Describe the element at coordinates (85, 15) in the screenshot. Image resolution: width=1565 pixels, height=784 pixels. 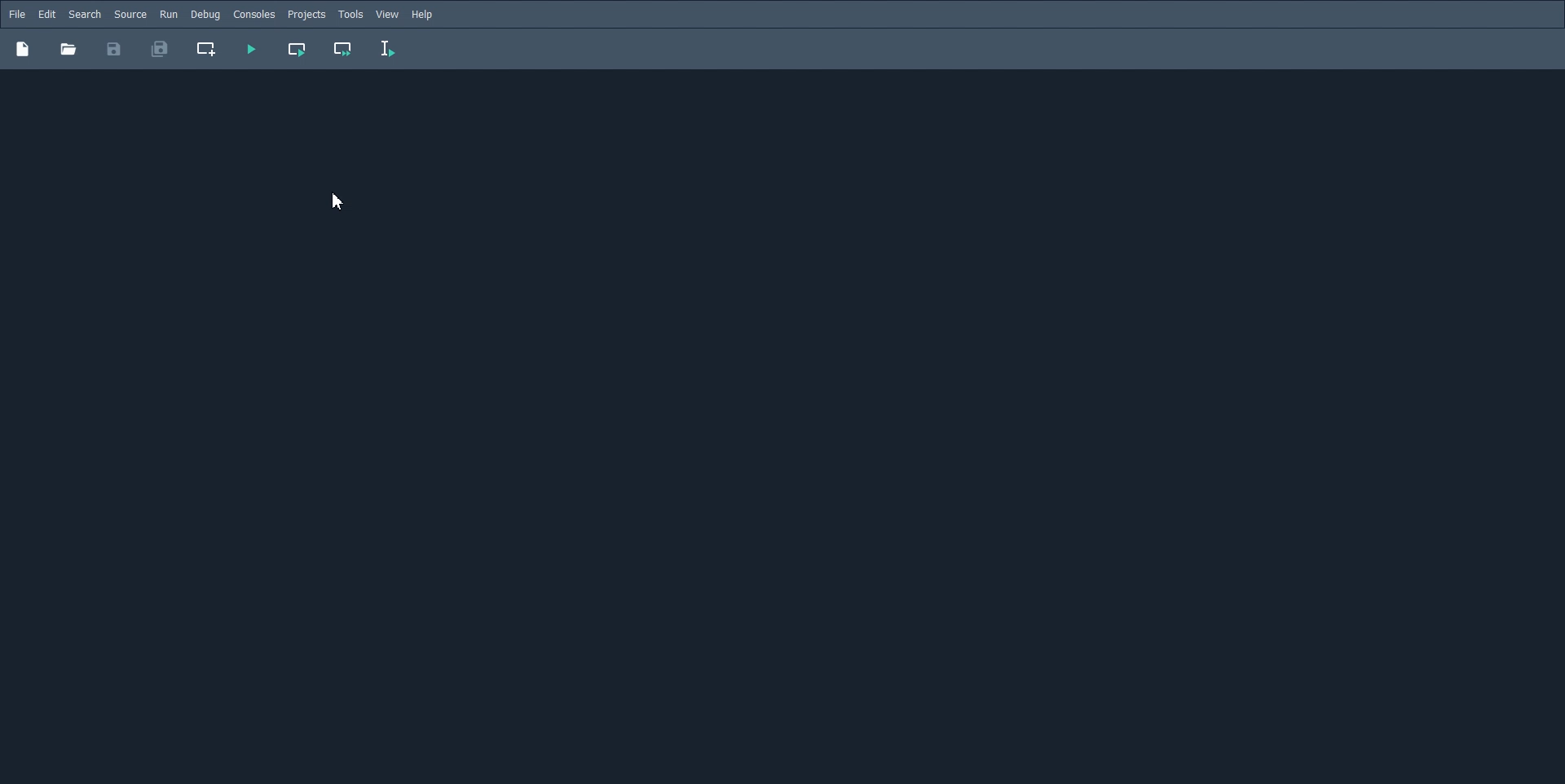
I see `Search` at that location.